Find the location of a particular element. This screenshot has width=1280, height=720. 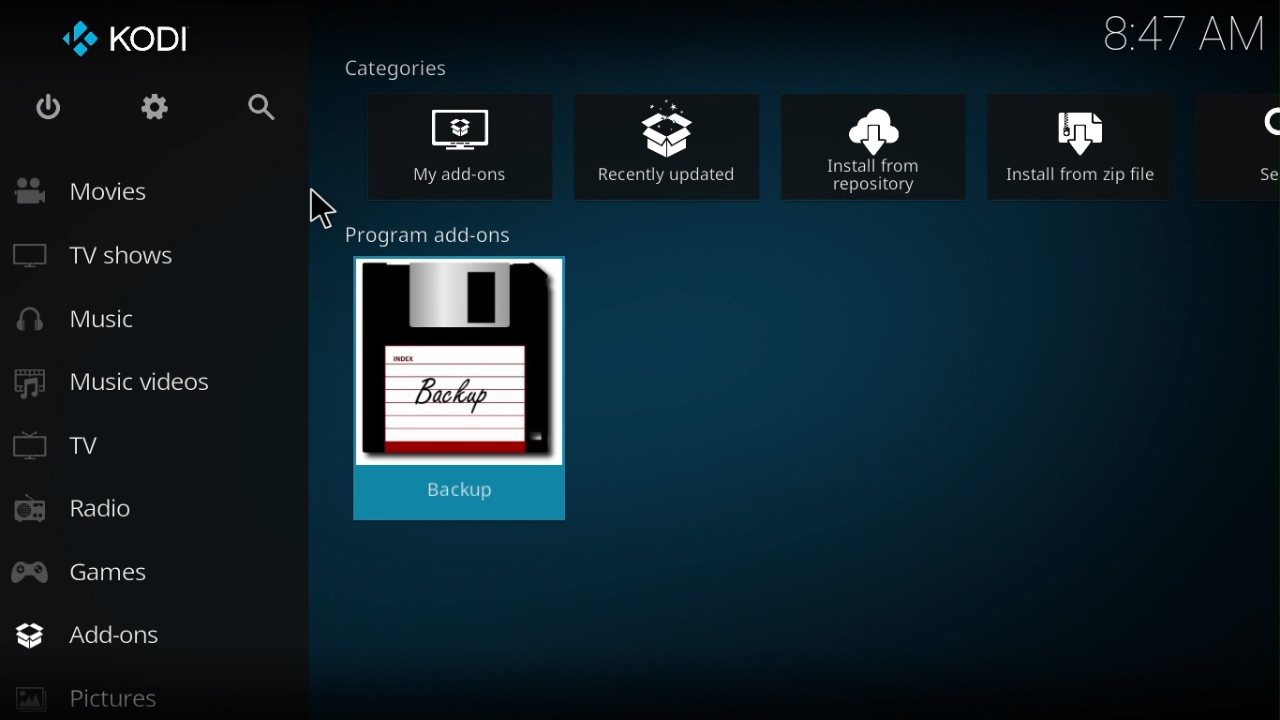

Settings is located at coordinates (146, 112).